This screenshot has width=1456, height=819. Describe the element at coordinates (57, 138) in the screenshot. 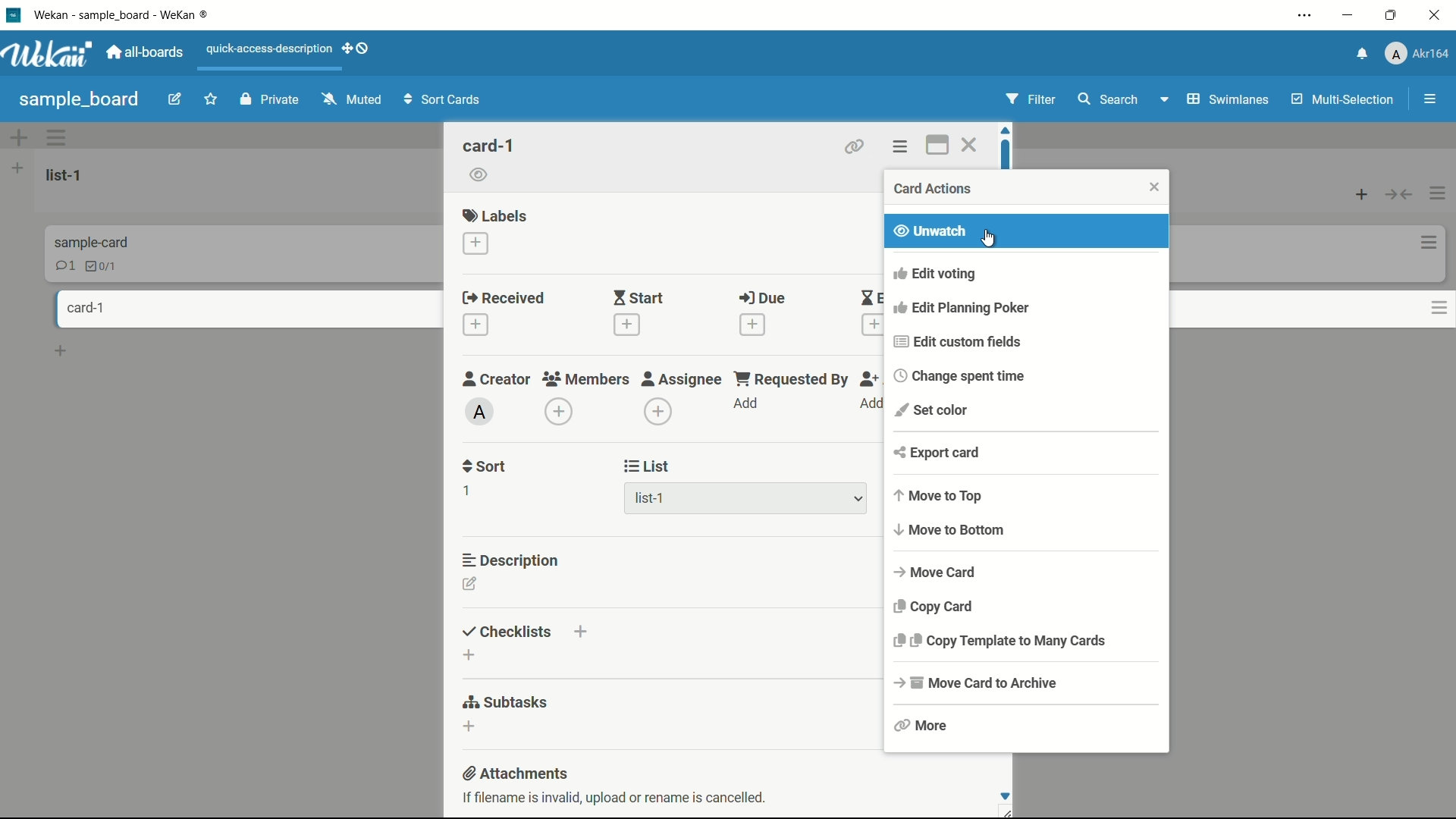

I see `swimlane actions` at that location.